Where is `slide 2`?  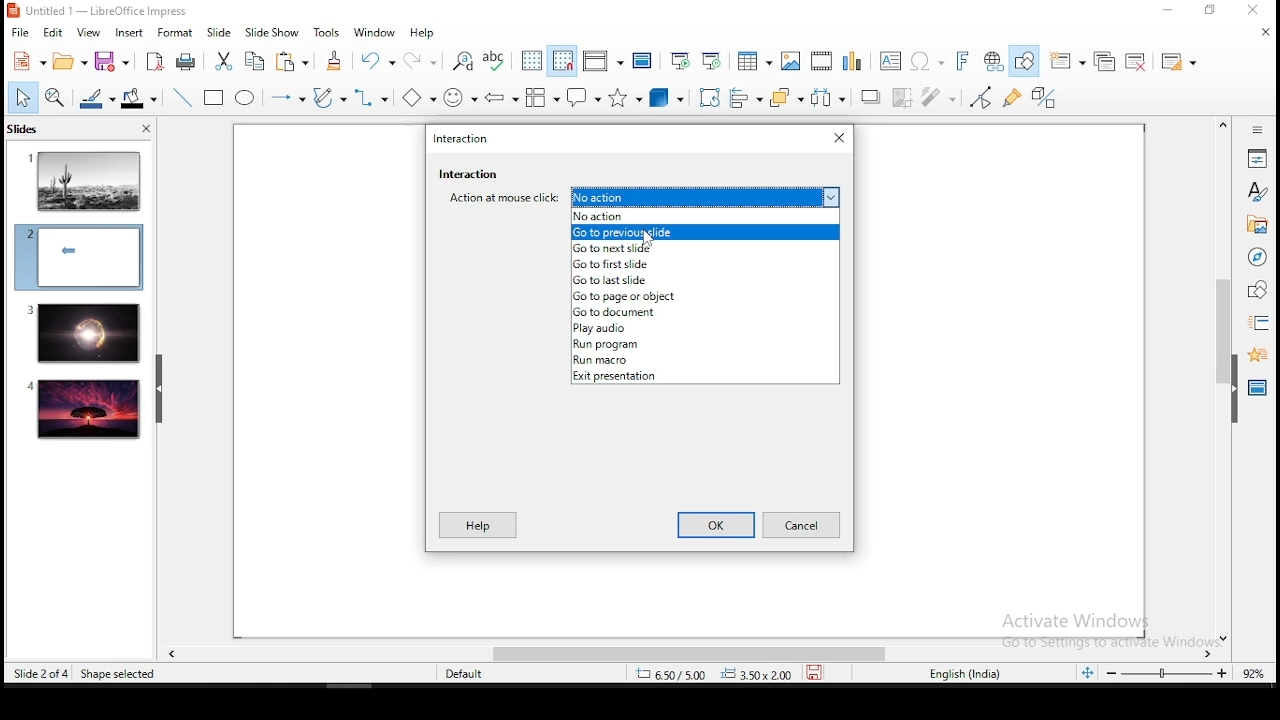
slide 2 is located at coordinates (78, 257).